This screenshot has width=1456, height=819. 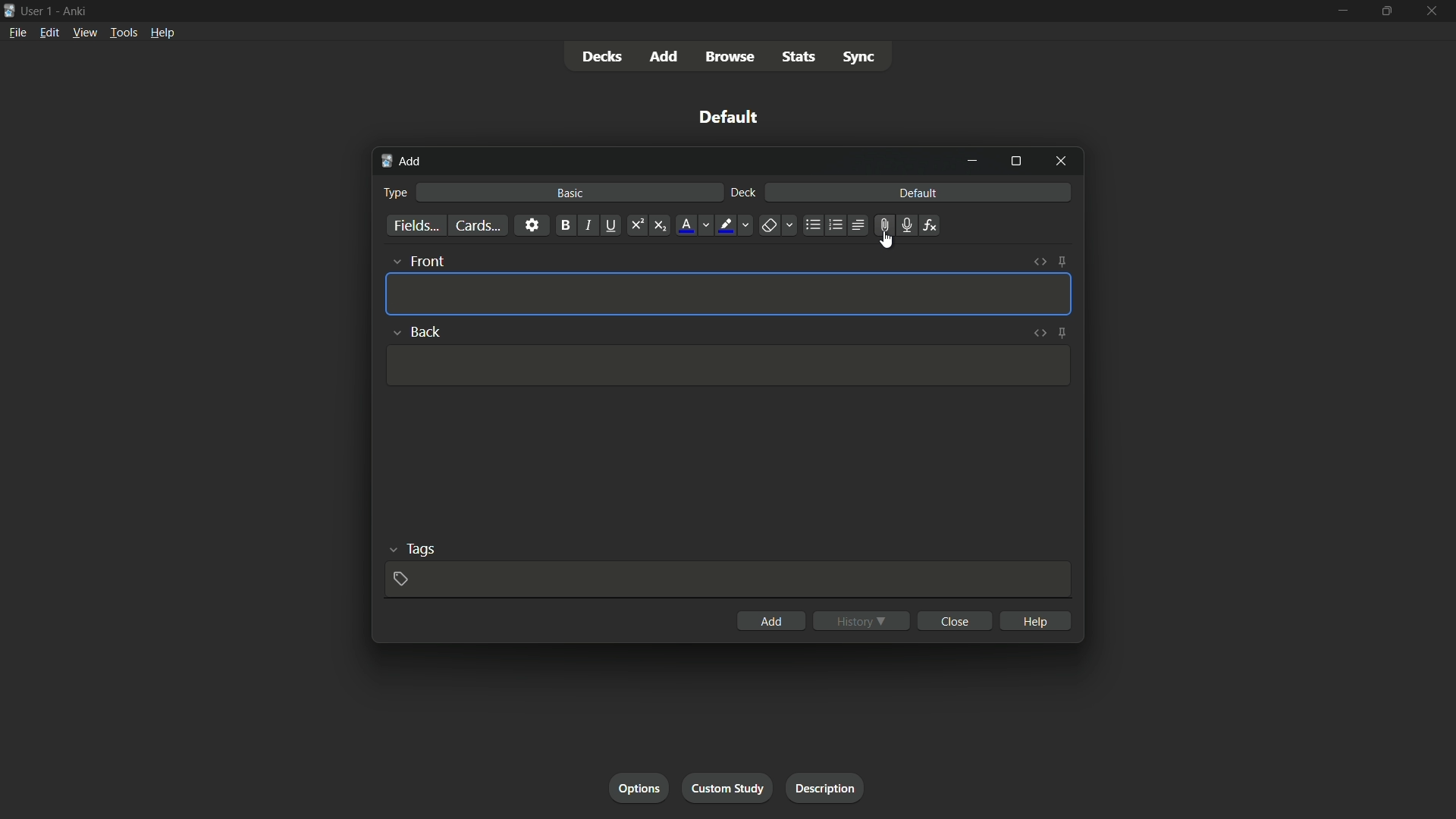 What do you see at coordinates (732, 118) in the screenshot?
I see `deck name` at bounding box center [732, 118].